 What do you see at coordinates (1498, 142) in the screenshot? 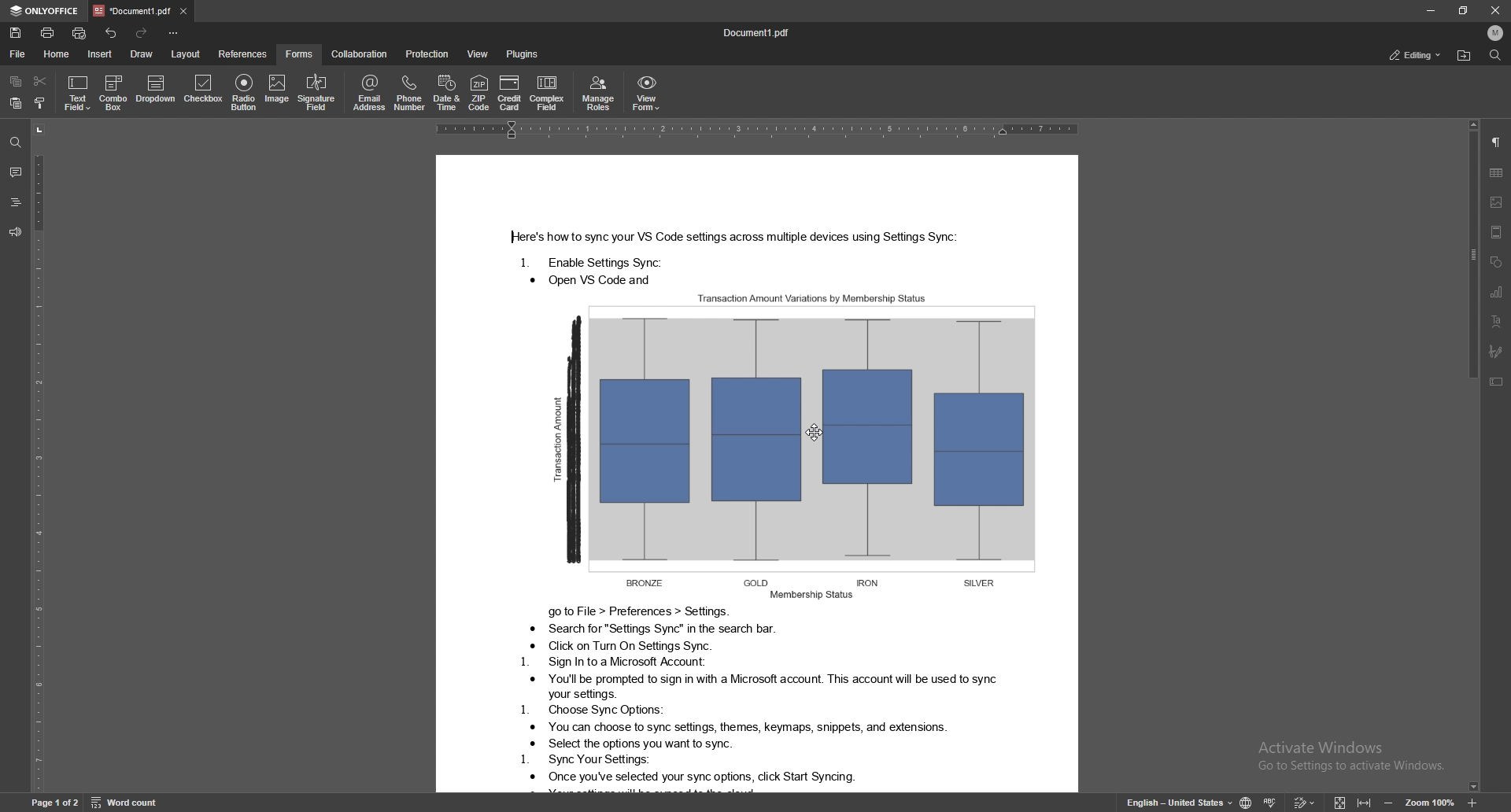
I see `paragraph` at bounding box center [1498, 142].